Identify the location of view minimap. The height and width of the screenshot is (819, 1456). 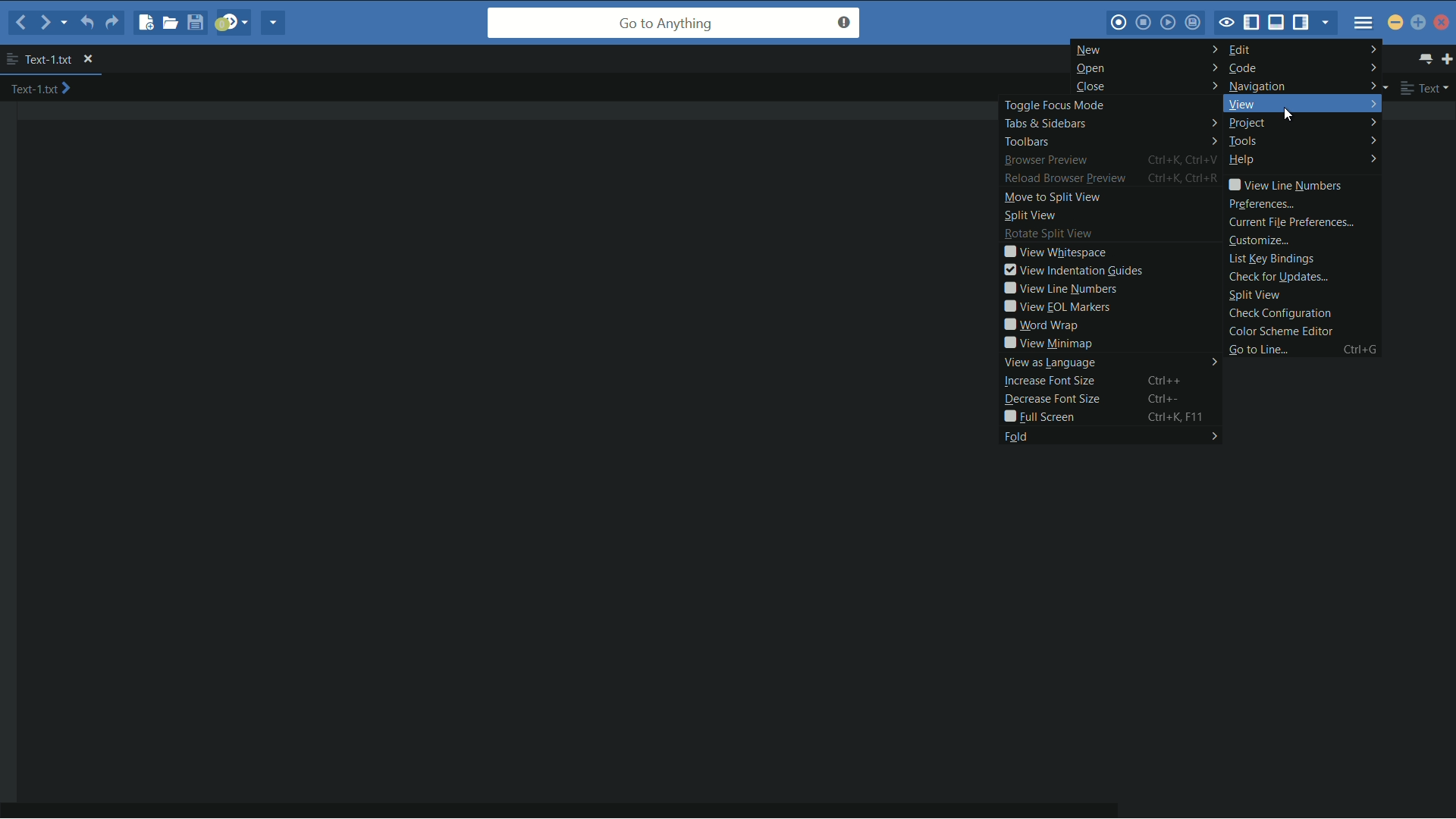
(1045, 344).